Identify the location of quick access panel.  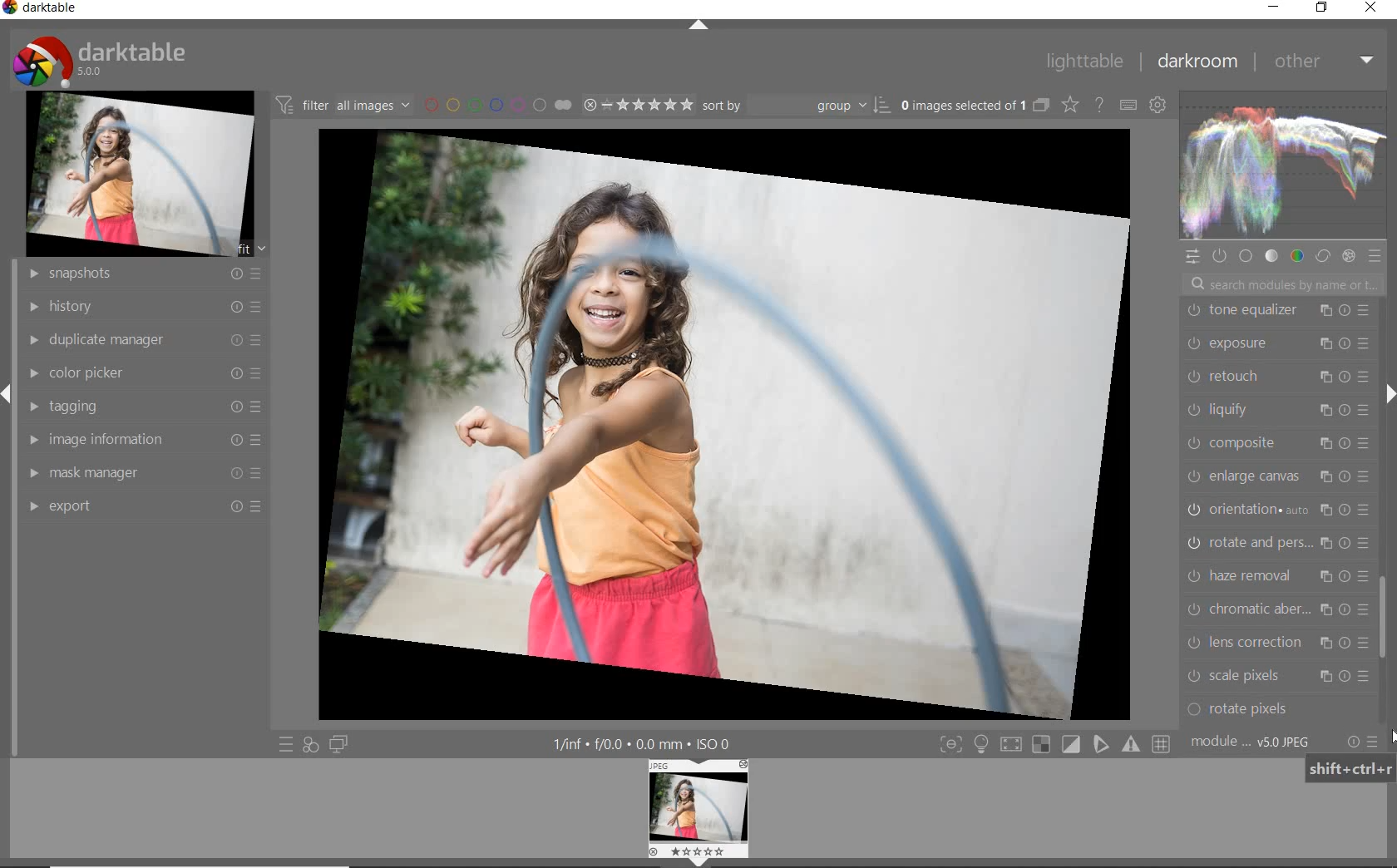
(1190, 259).